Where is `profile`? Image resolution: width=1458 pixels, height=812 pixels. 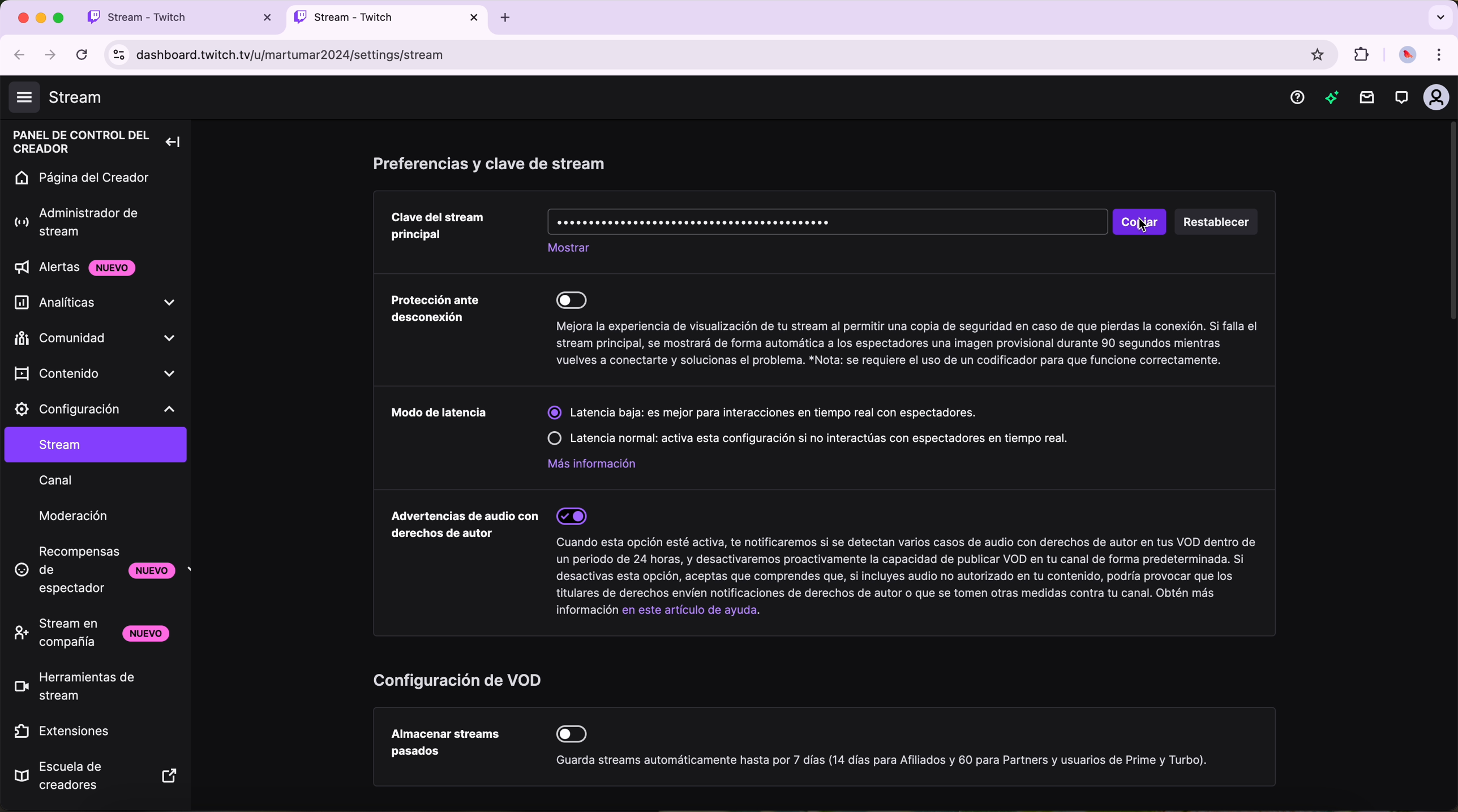
profile is located at coordinates (1440, 97).